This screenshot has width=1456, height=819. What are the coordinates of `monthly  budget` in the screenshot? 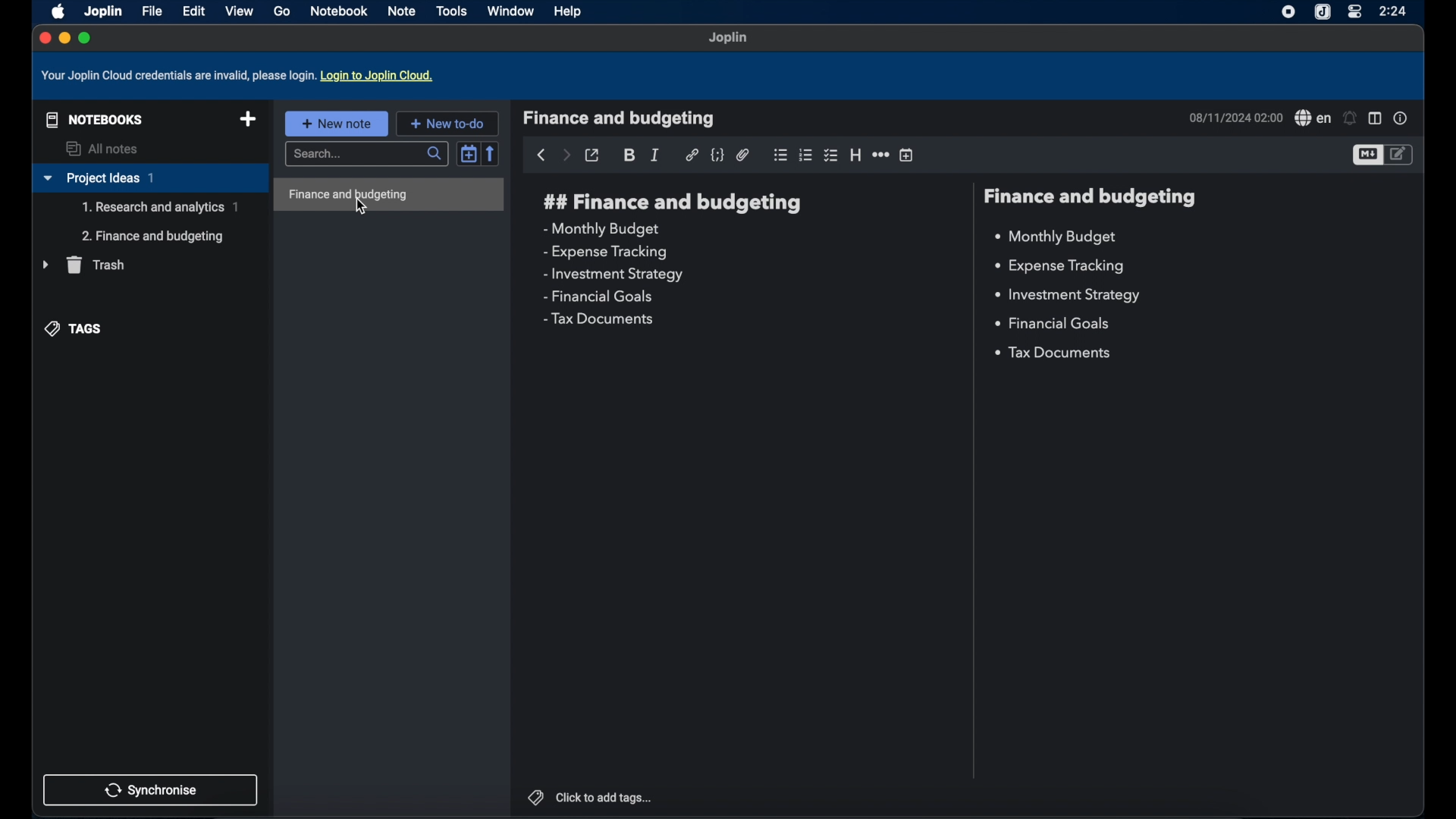 It's located at (1056, 237).